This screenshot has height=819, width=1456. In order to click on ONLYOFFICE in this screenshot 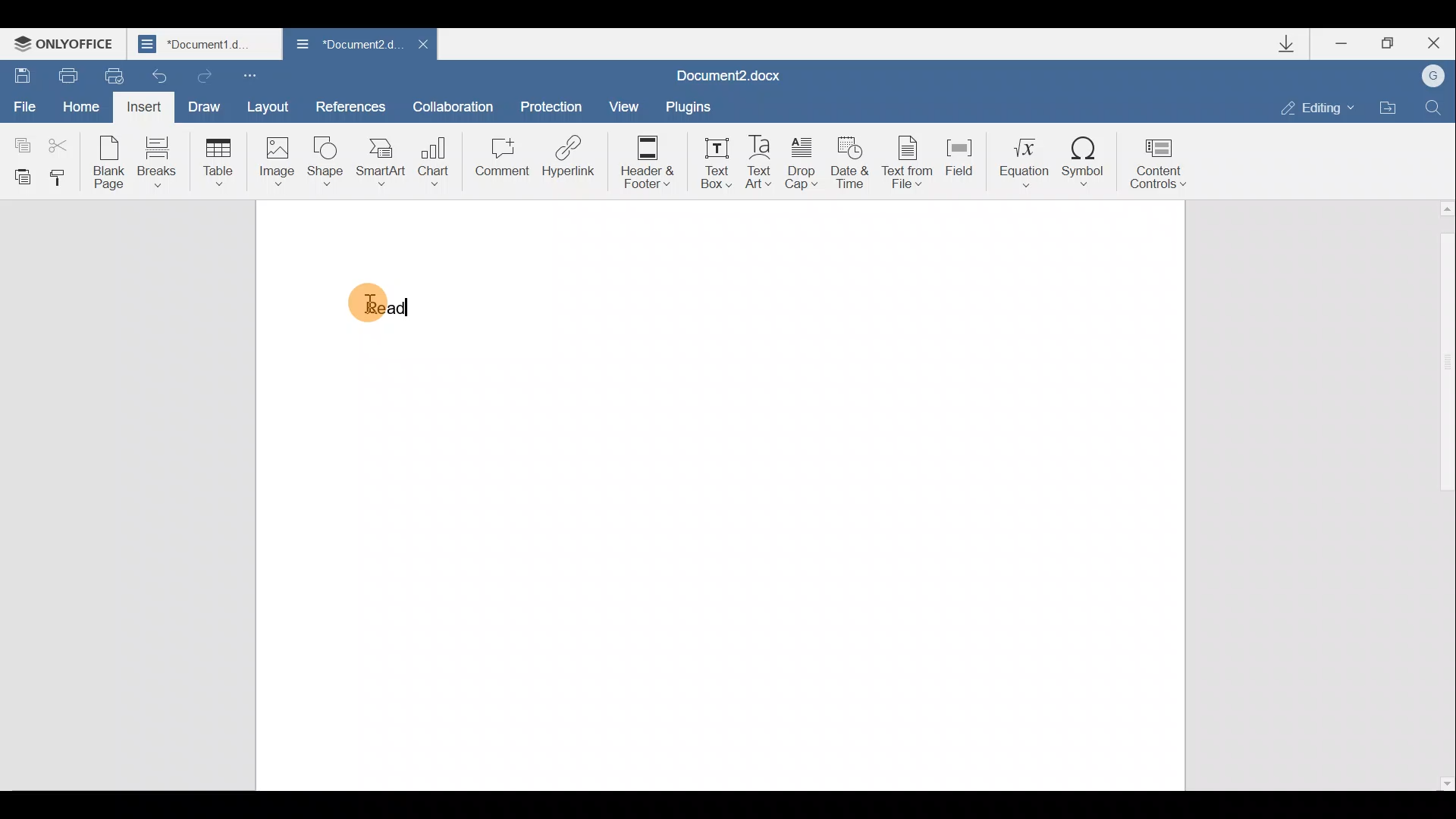, I will do `click(67, 45)`.